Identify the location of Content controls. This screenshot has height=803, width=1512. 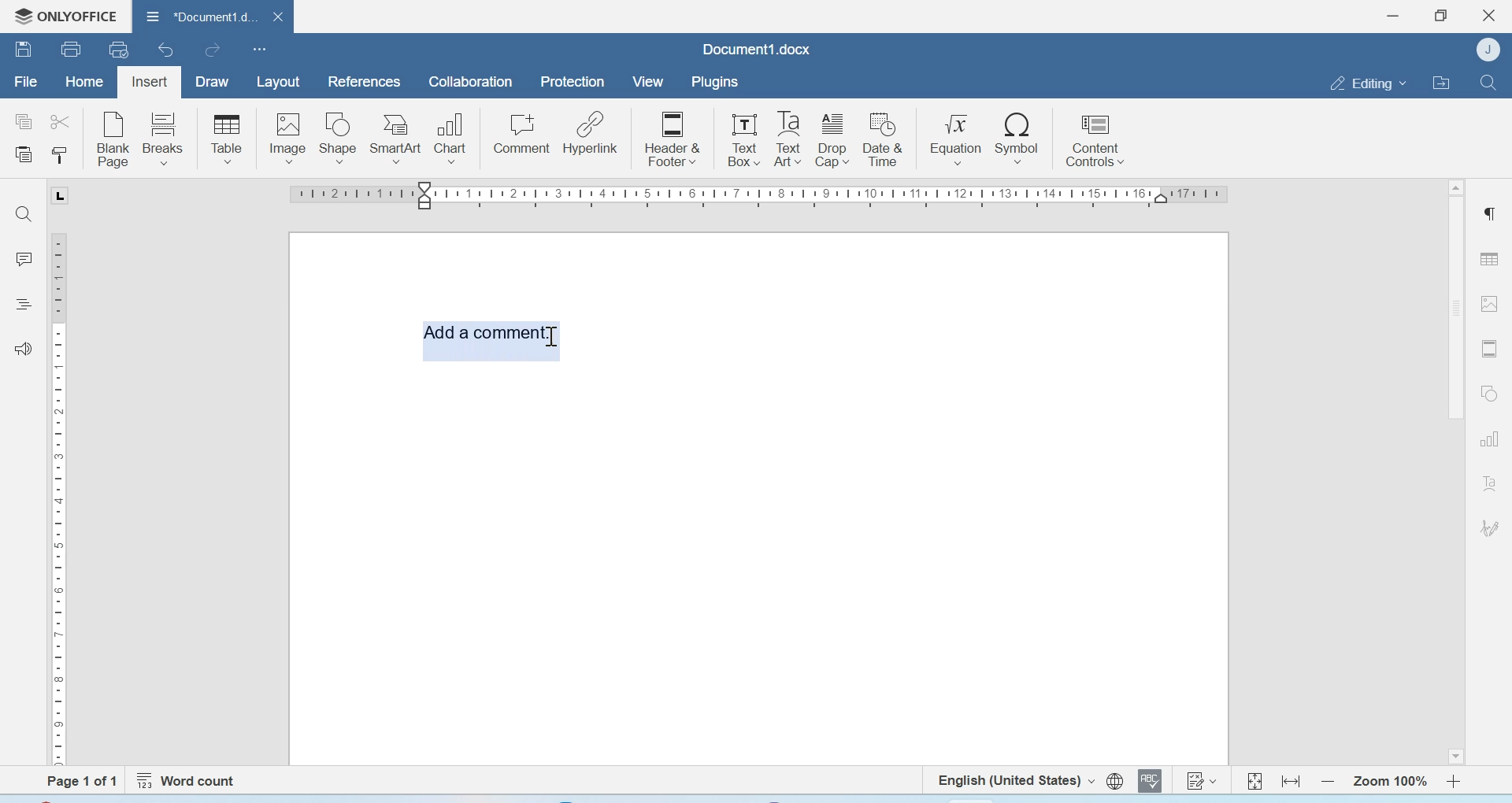
(1094, 138).